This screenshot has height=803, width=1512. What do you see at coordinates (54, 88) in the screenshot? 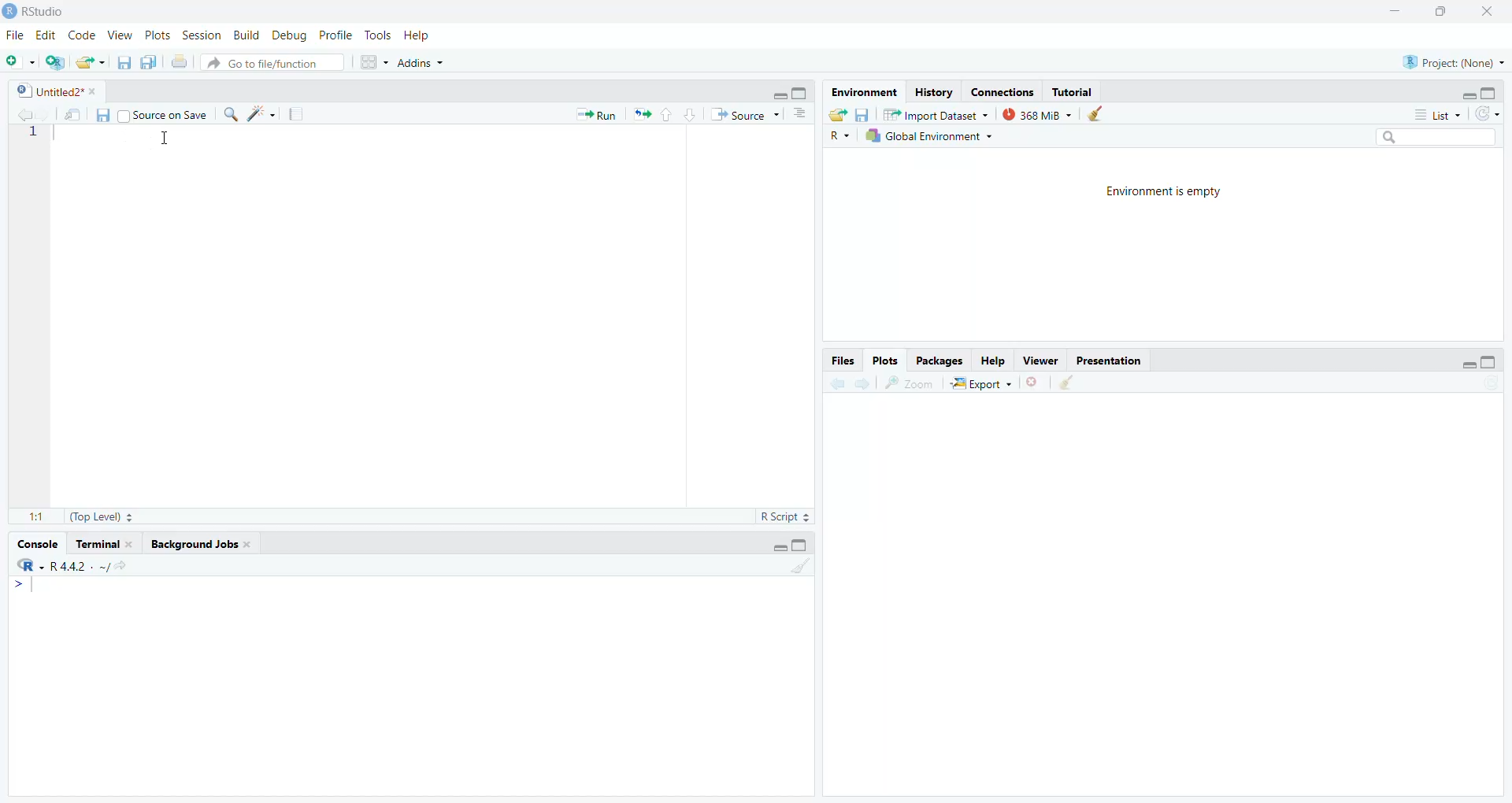
I see `| Untitled2* *` at bounding box center [54, 88].